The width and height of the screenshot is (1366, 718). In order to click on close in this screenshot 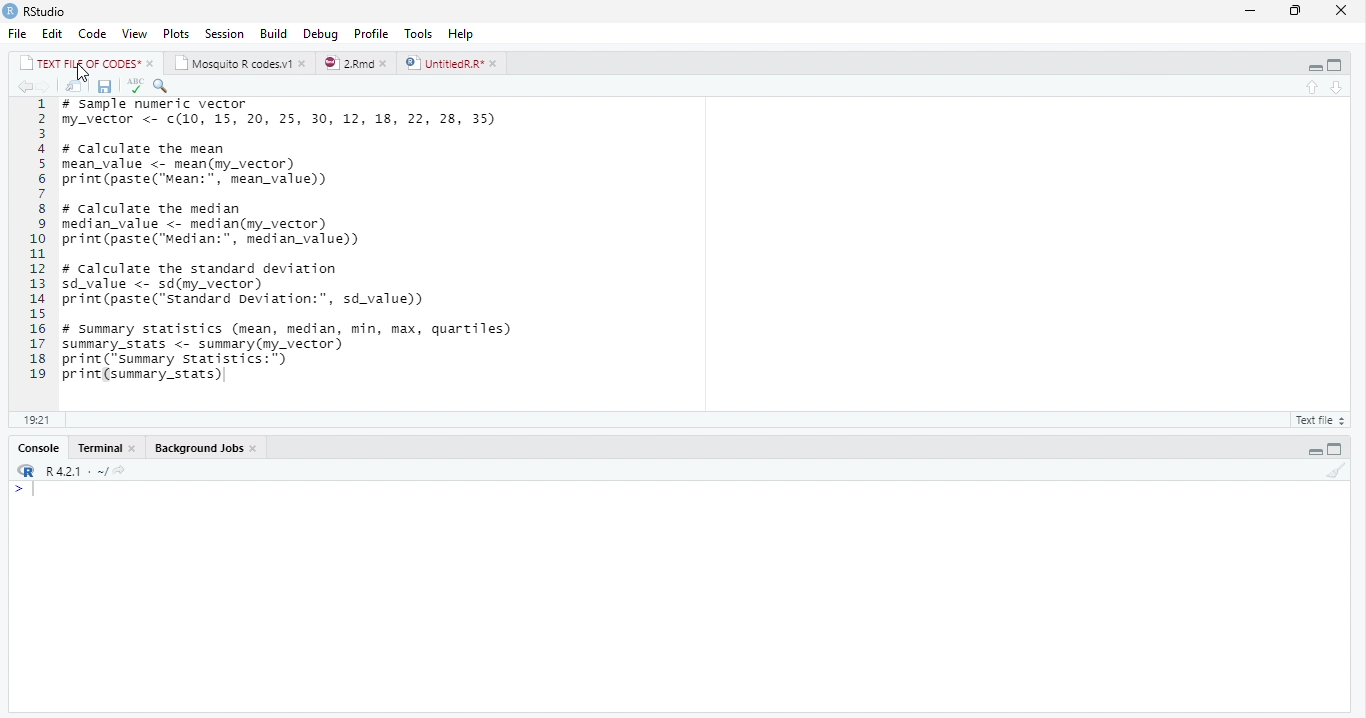, I will do `click(496, 64)`.